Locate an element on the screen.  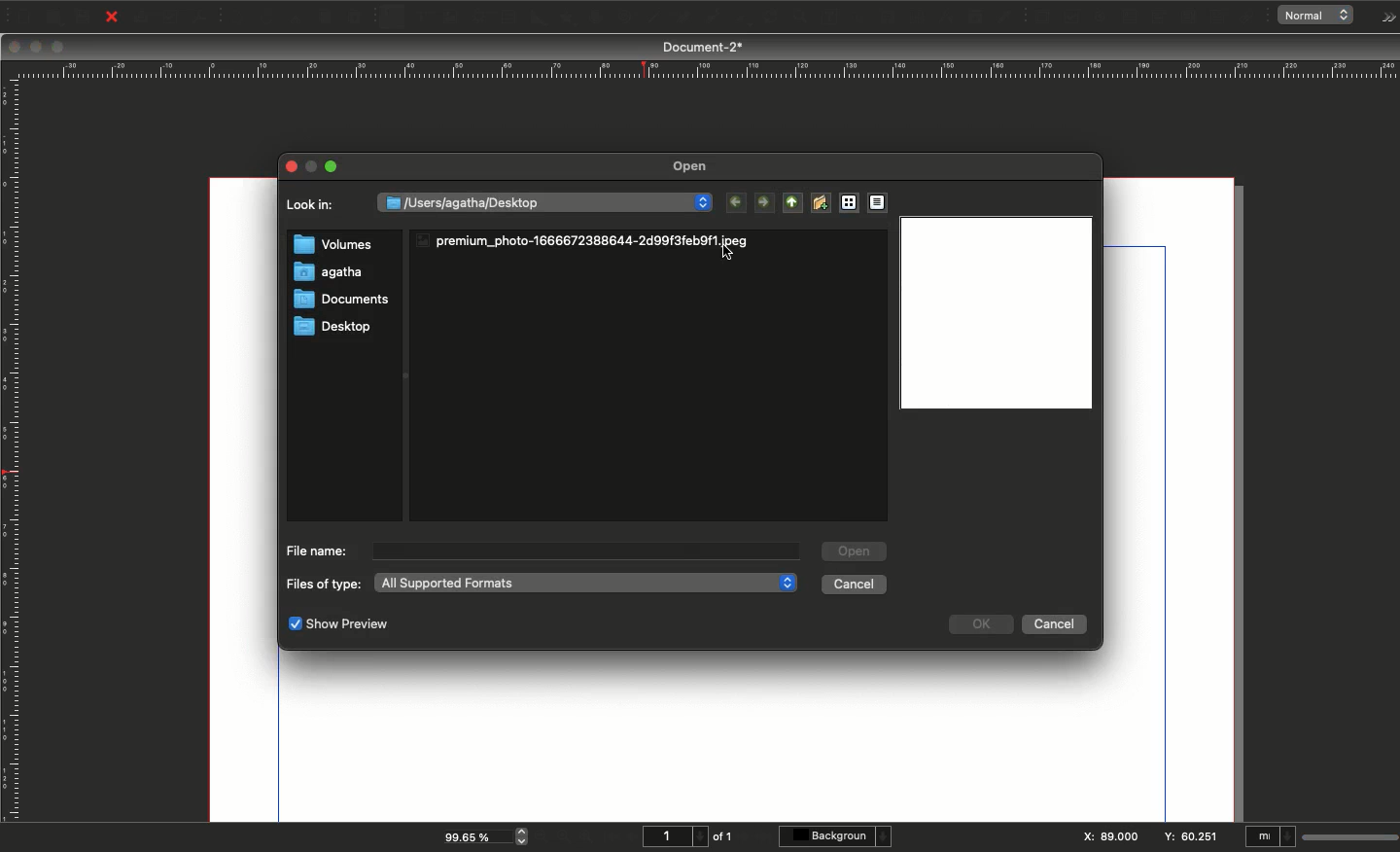
PDF radio button is located at coordinates (1102, 18).